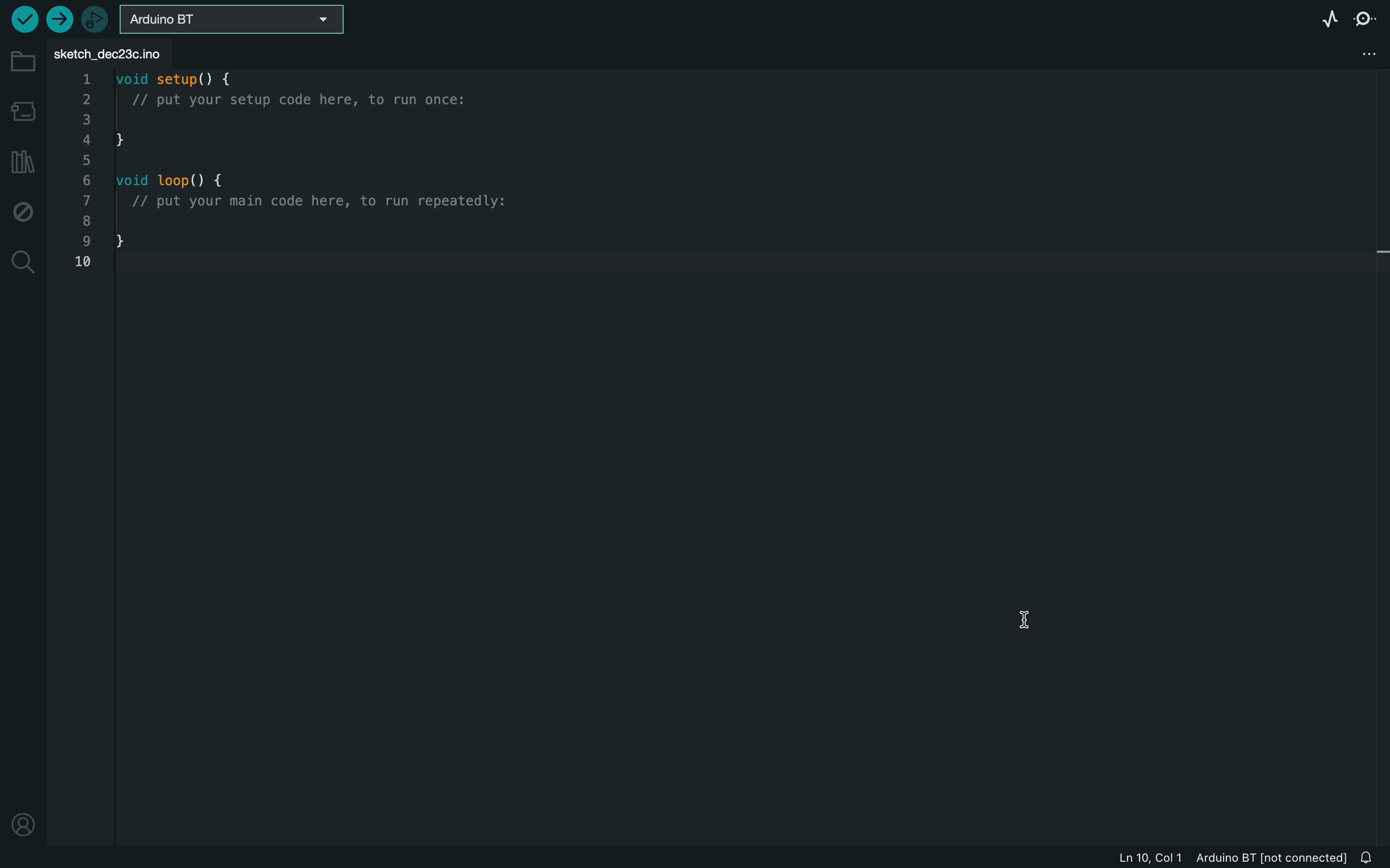 This screenshot has height=868, width=1390. Describe the element at coordinates (300, 172) in the screenshot. I see `code` at that location.